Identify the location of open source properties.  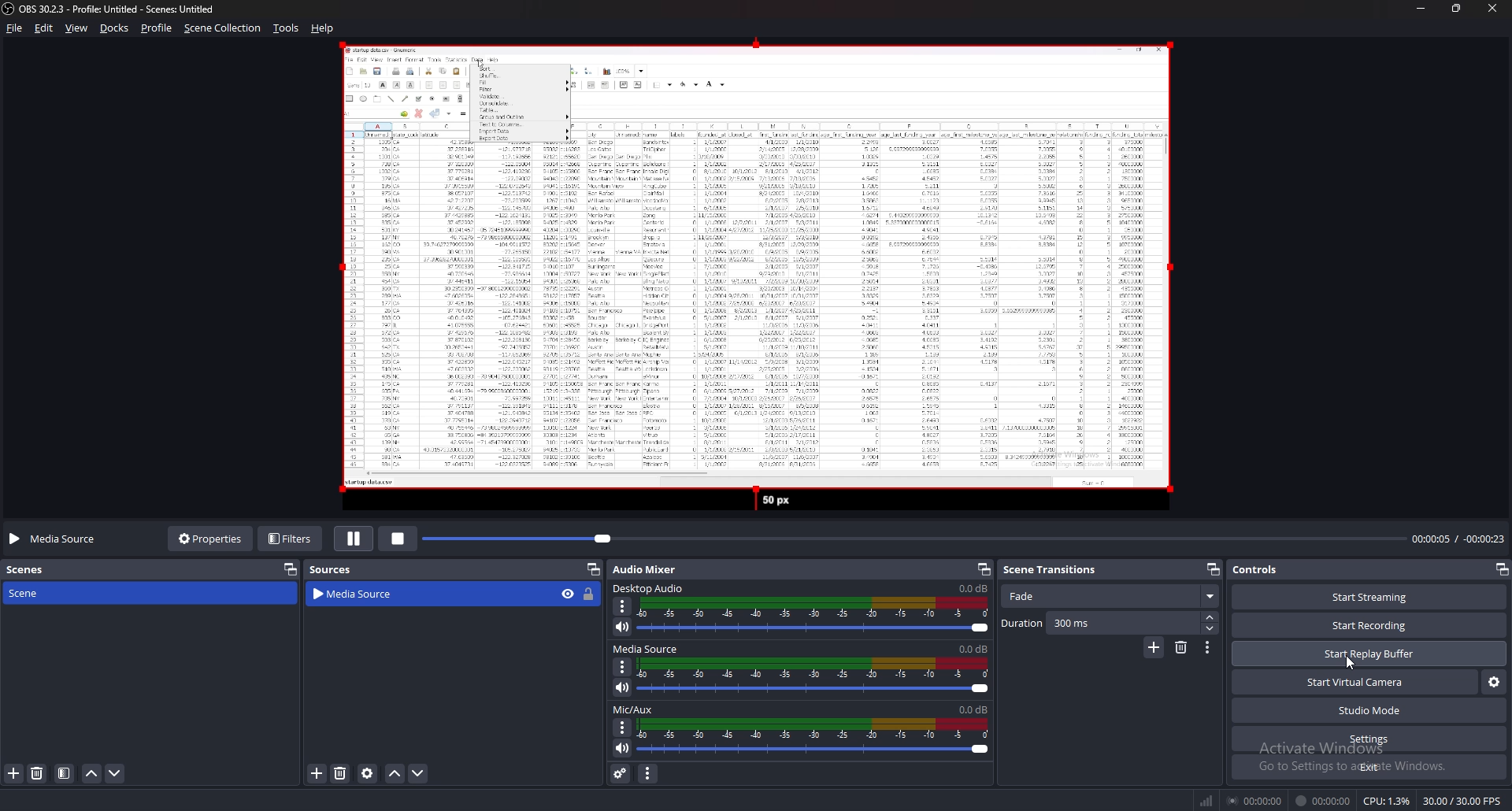
(369, 773).